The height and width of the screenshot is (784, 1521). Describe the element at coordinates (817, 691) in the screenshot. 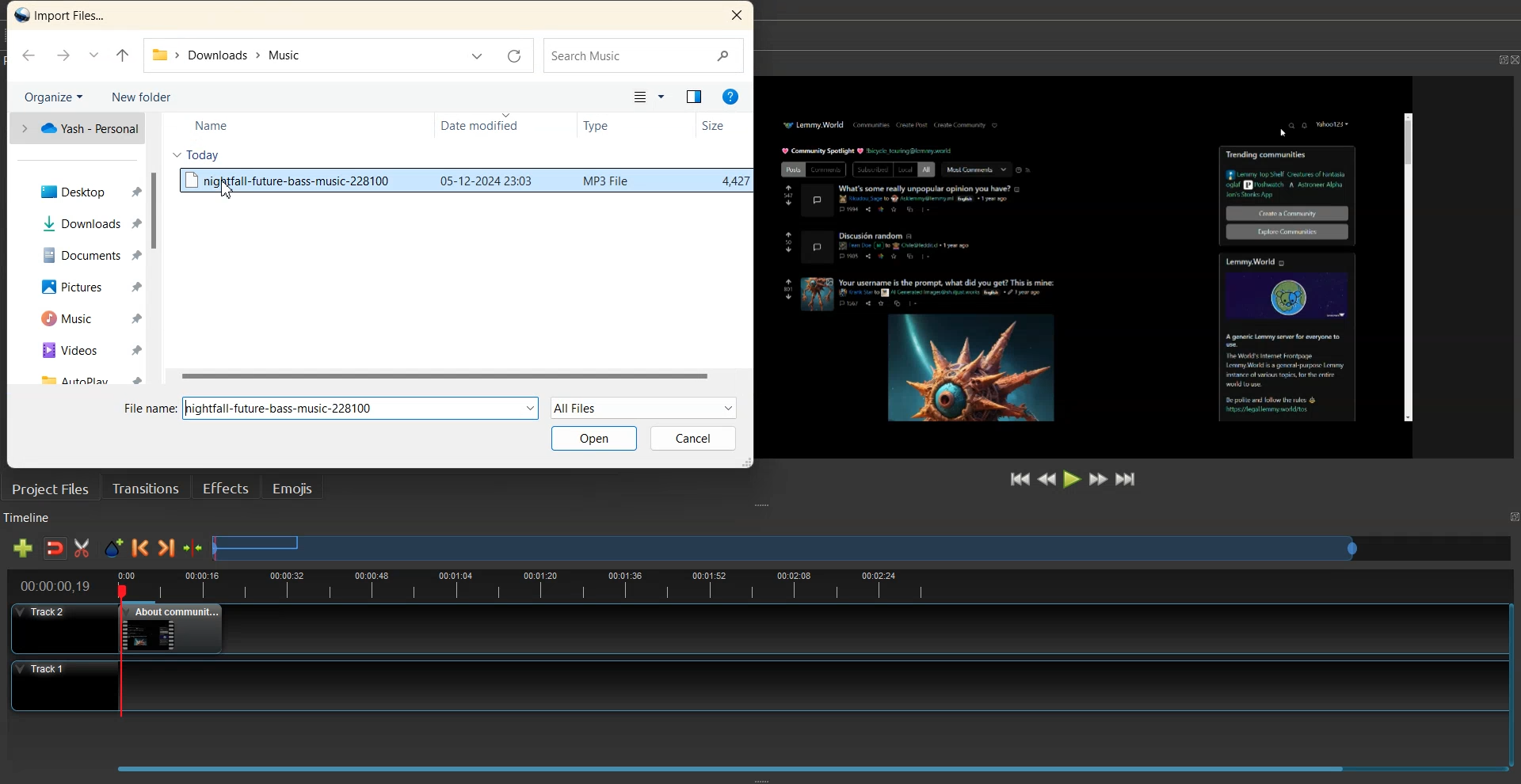

I see `Track 2` at that location.